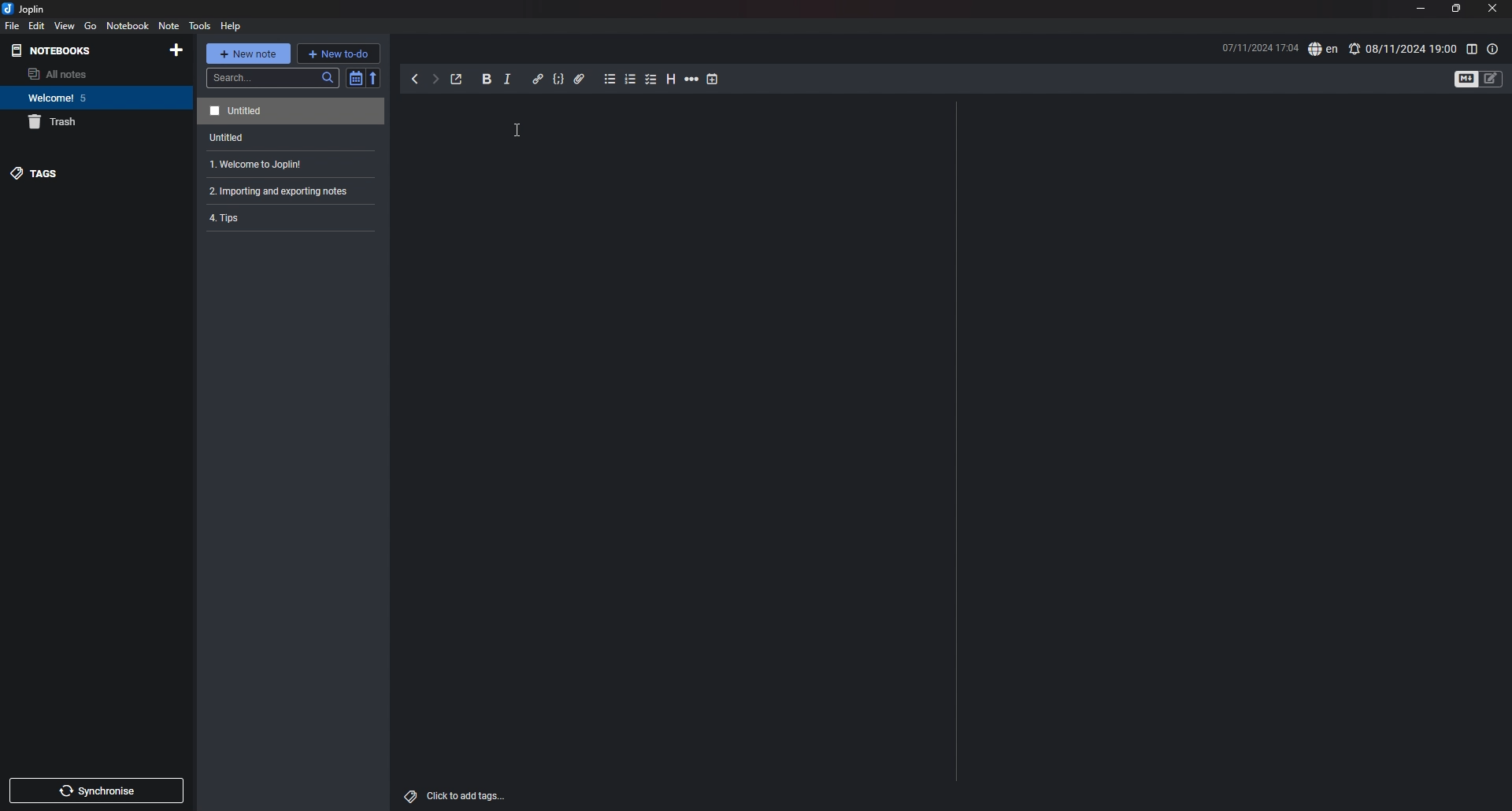 This screenshot has height=811, width=1512. I want to click on add tags, so click(457, 796).